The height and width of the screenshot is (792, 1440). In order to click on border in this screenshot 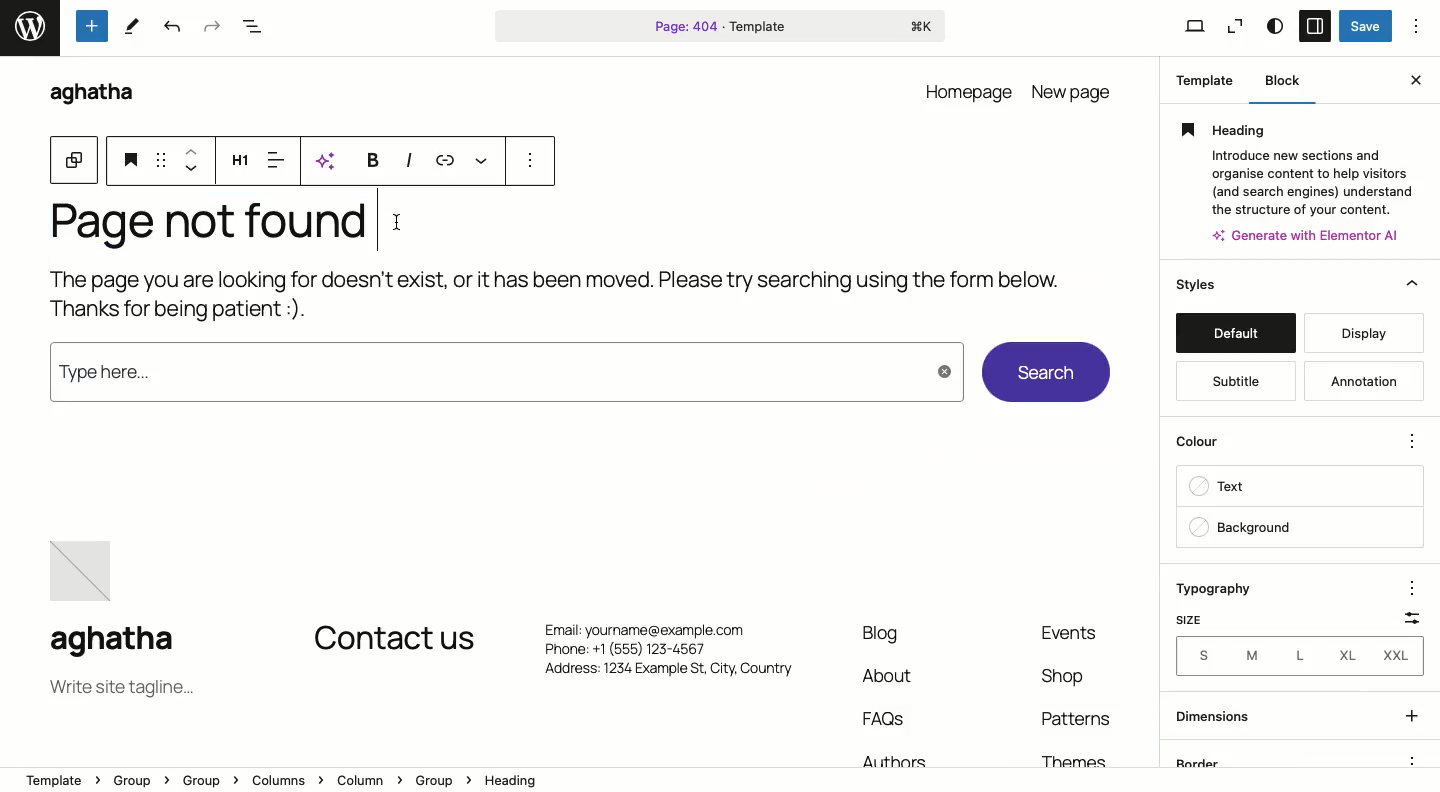, I will do `click(1245, 759)`.